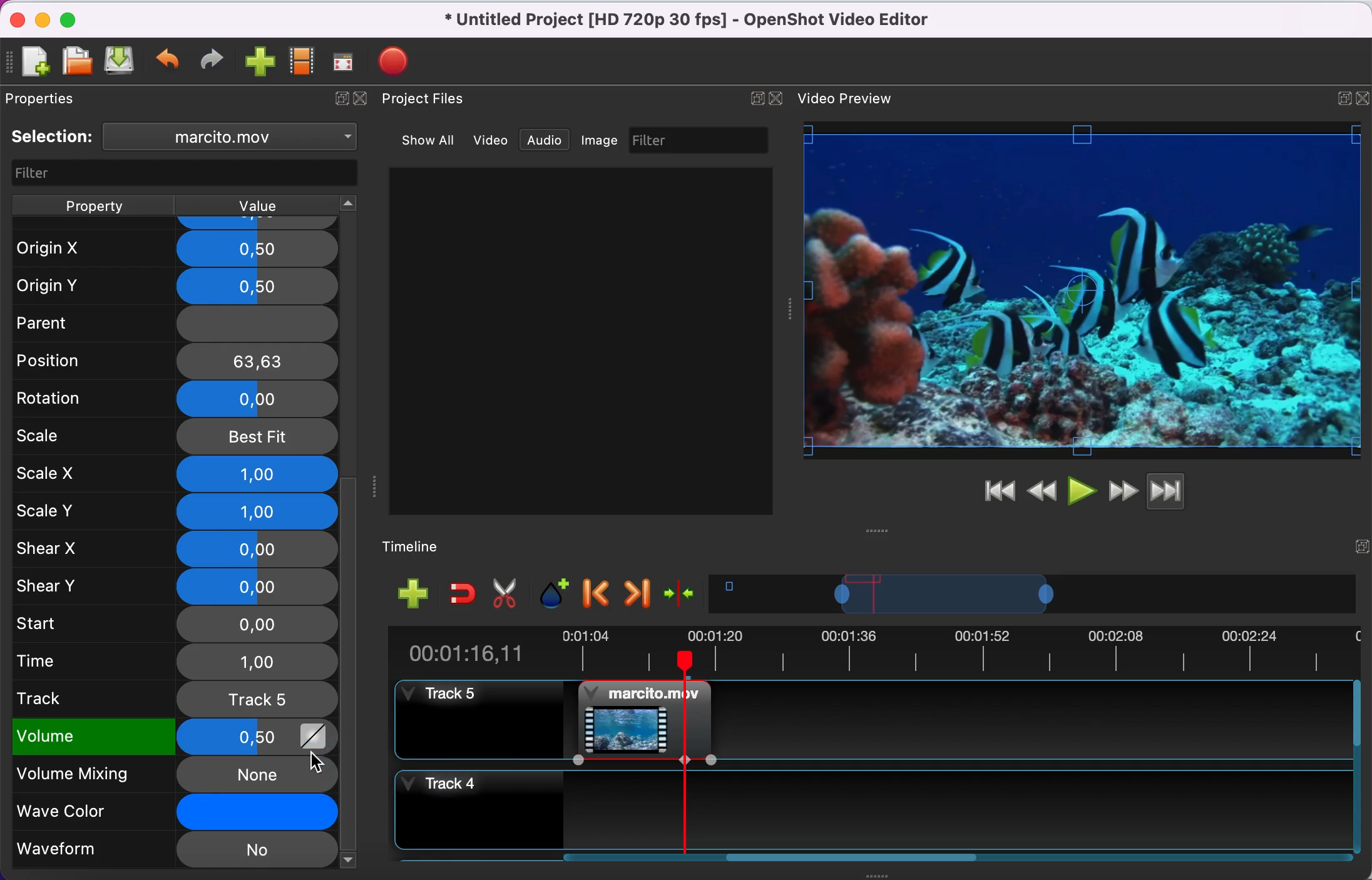 The height and width of the screenshot is (880, 1372). I want to click on expand/hide, so click(1360, 543).